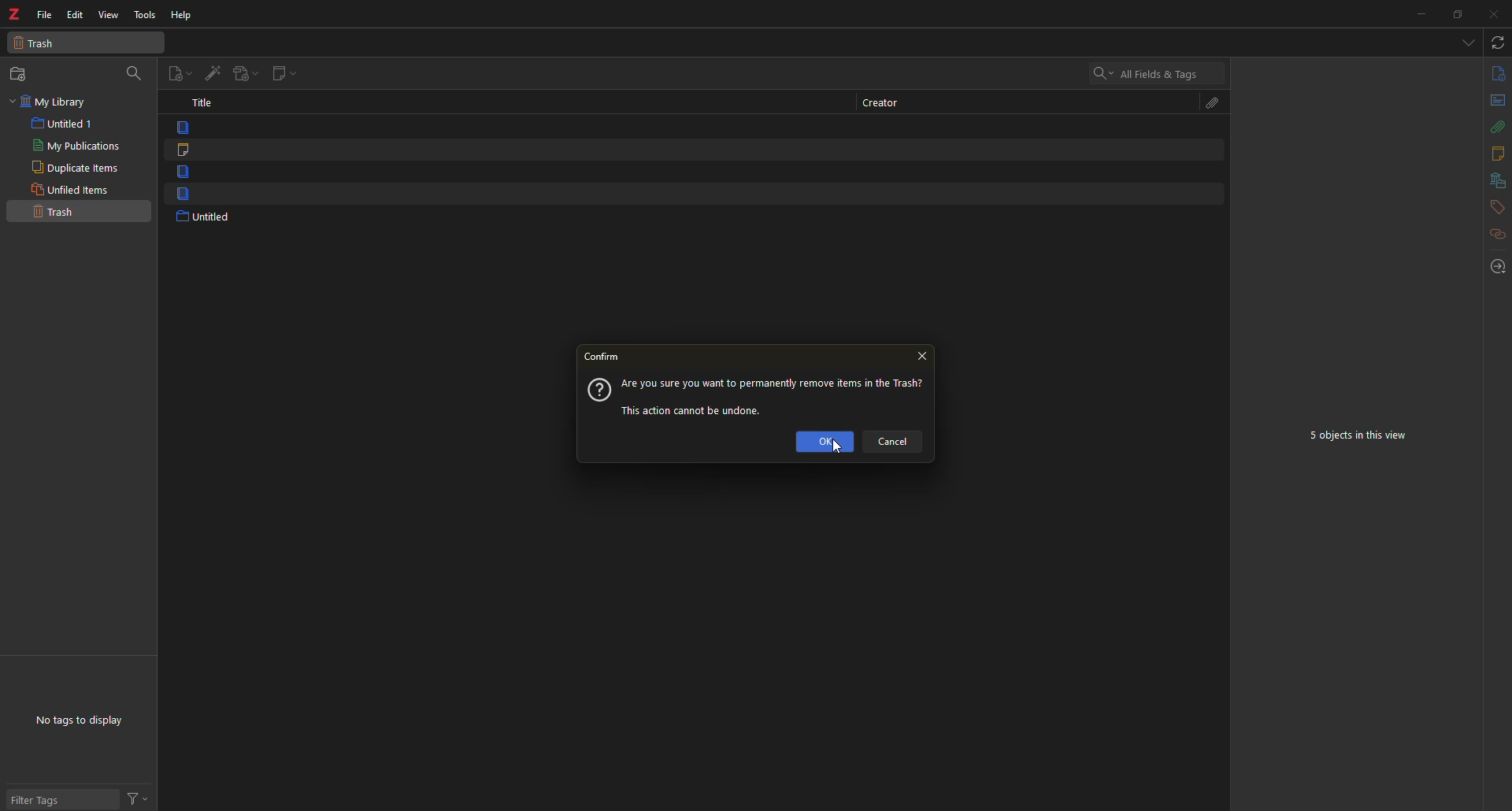 The width and height of the screenshot is (1512, 811). Describe the element at coordinates (178, 126) in the screenshot. I see `item` at that location.